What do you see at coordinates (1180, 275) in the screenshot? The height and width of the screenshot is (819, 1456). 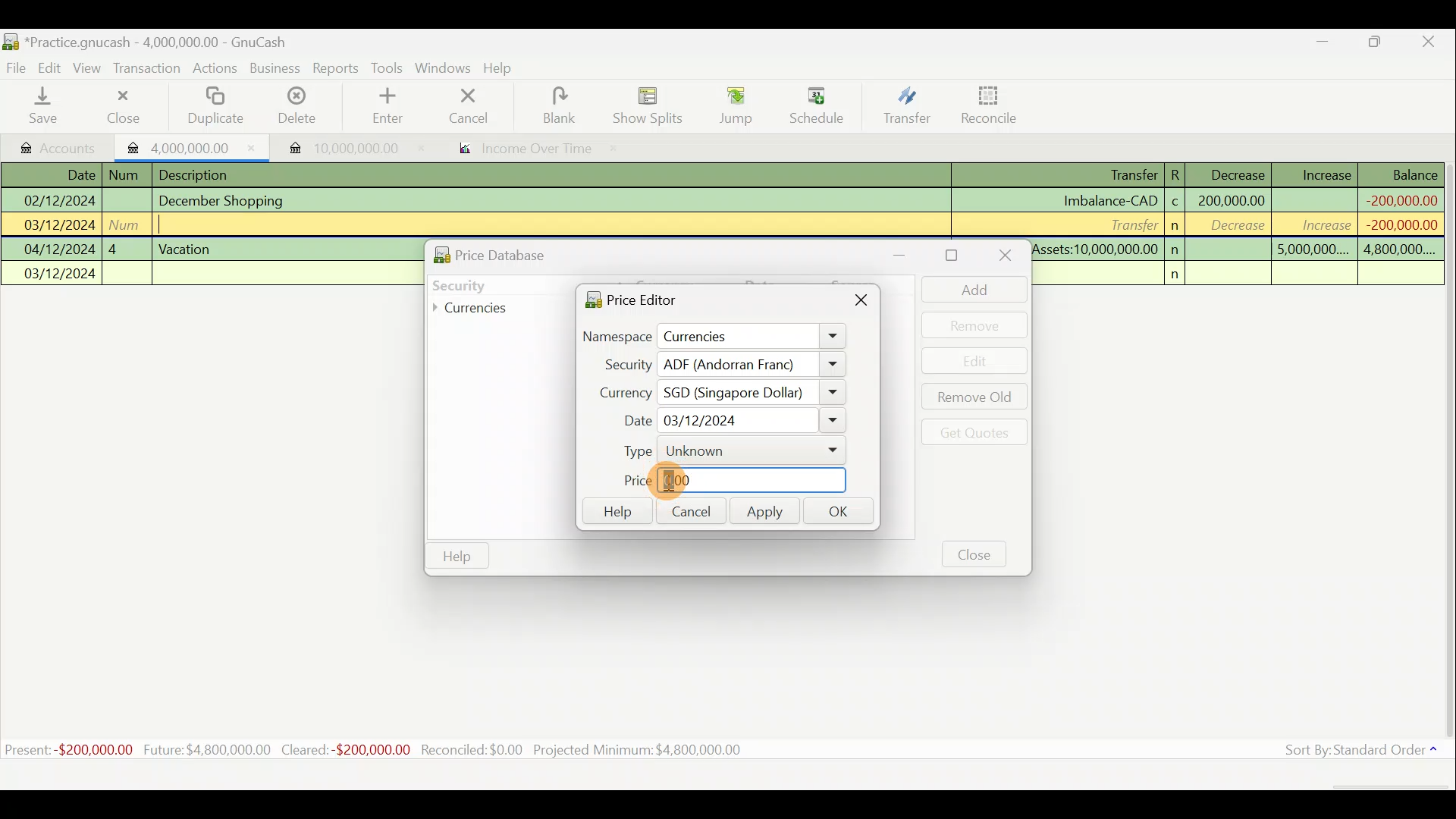 I see `n` at bounding box center [1180, 275].